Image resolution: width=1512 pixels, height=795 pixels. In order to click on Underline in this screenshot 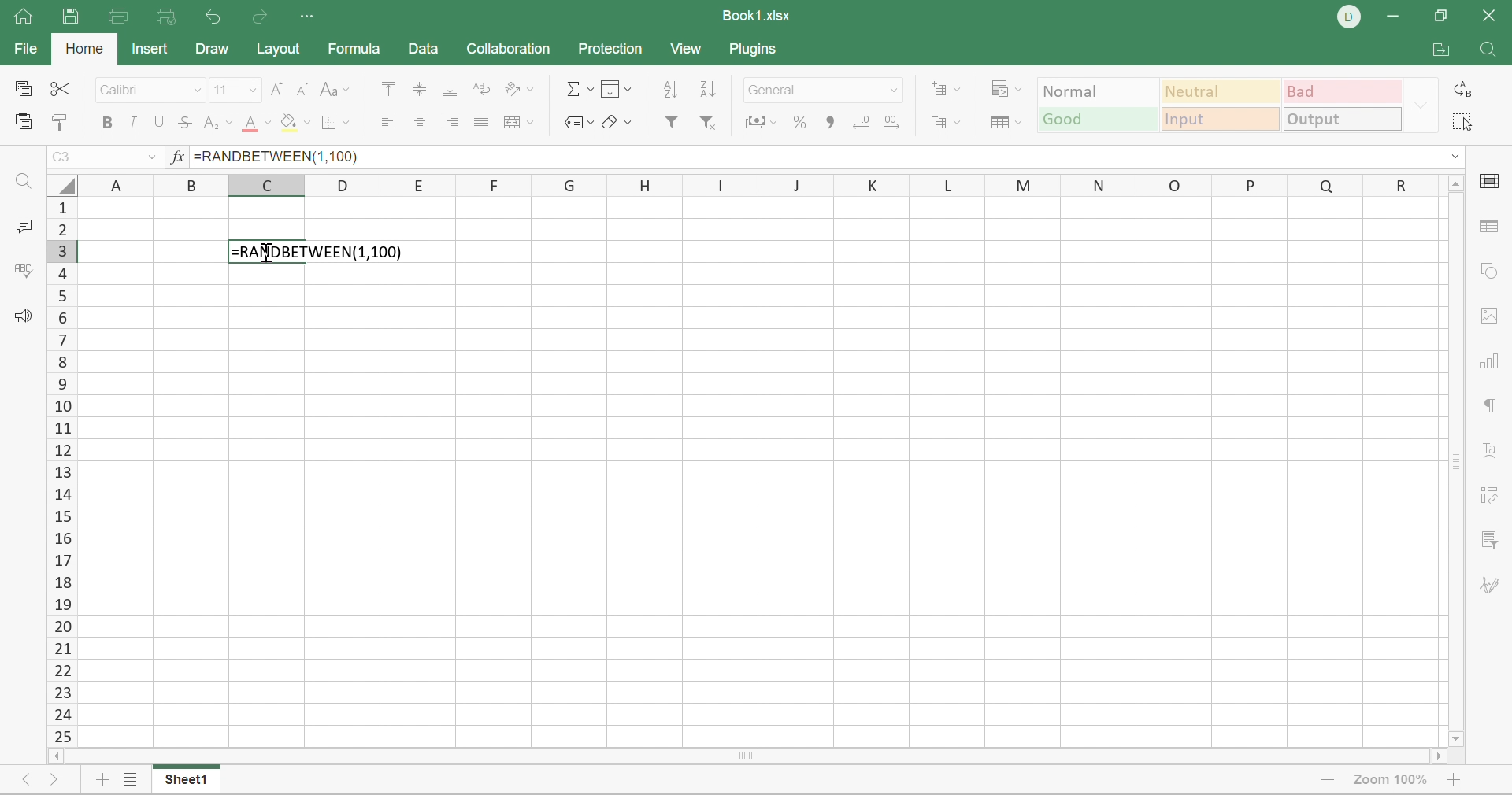, I will do `click(161, 123)`.